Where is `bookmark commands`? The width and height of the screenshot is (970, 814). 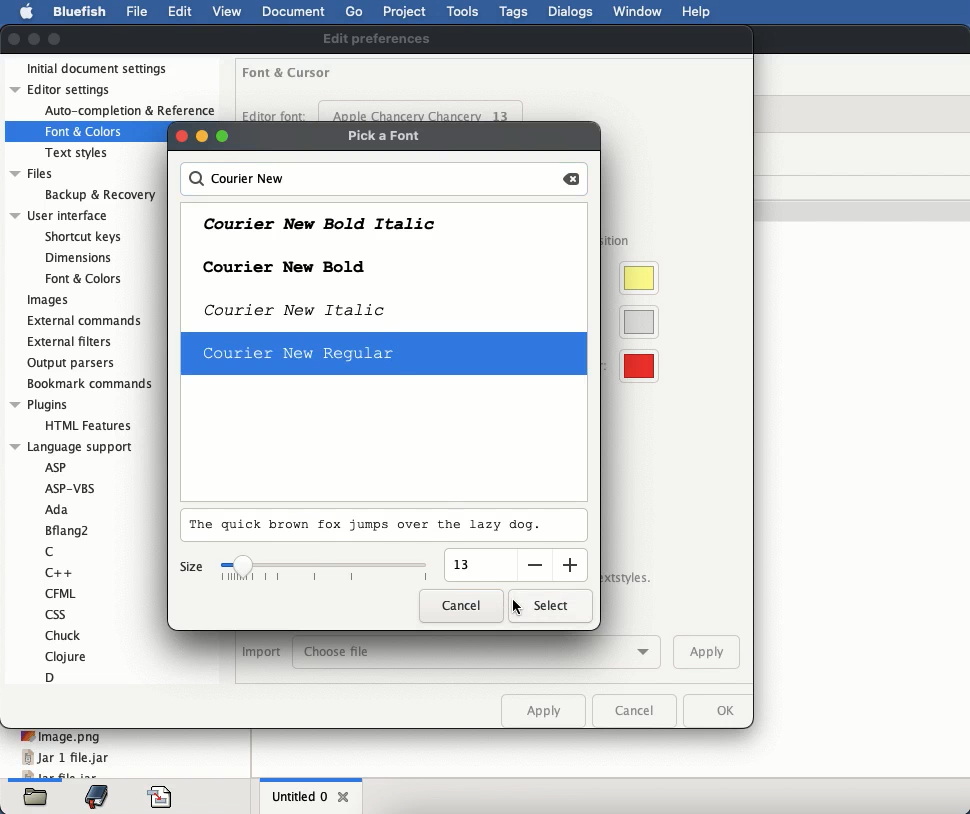 bookmark commands is located at coordinates (90, 384).